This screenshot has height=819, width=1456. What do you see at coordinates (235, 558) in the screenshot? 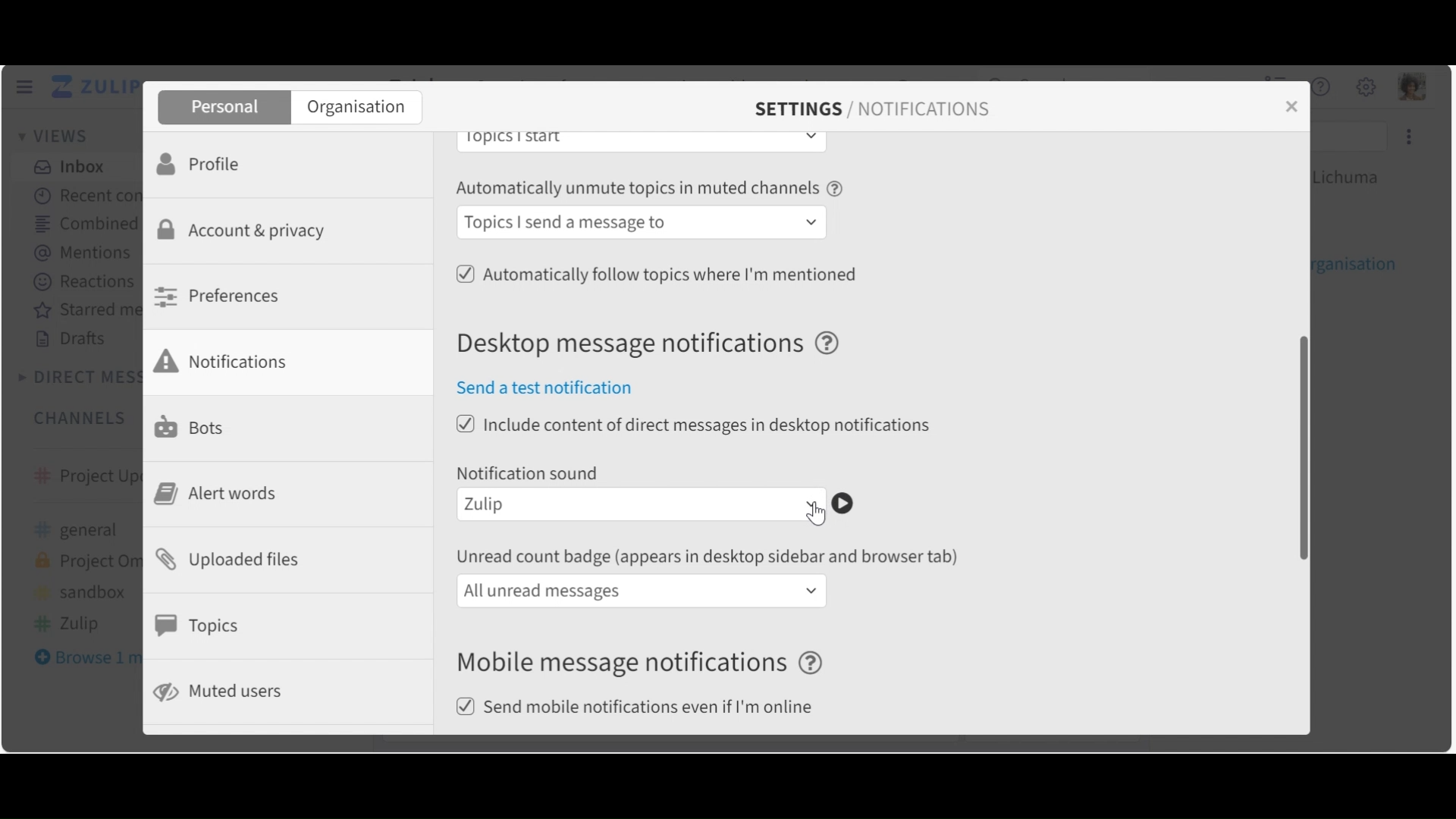
I see `Uploaded files` at bounding box center [235, 558].